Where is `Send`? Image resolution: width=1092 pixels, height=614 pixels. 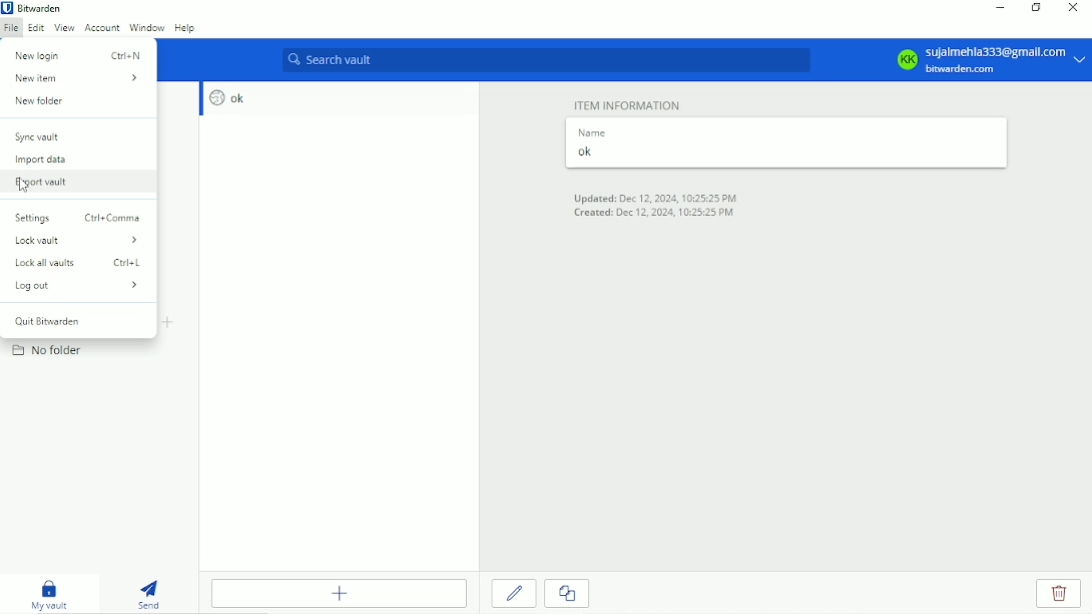 Send is located at coordinates (150, 592).